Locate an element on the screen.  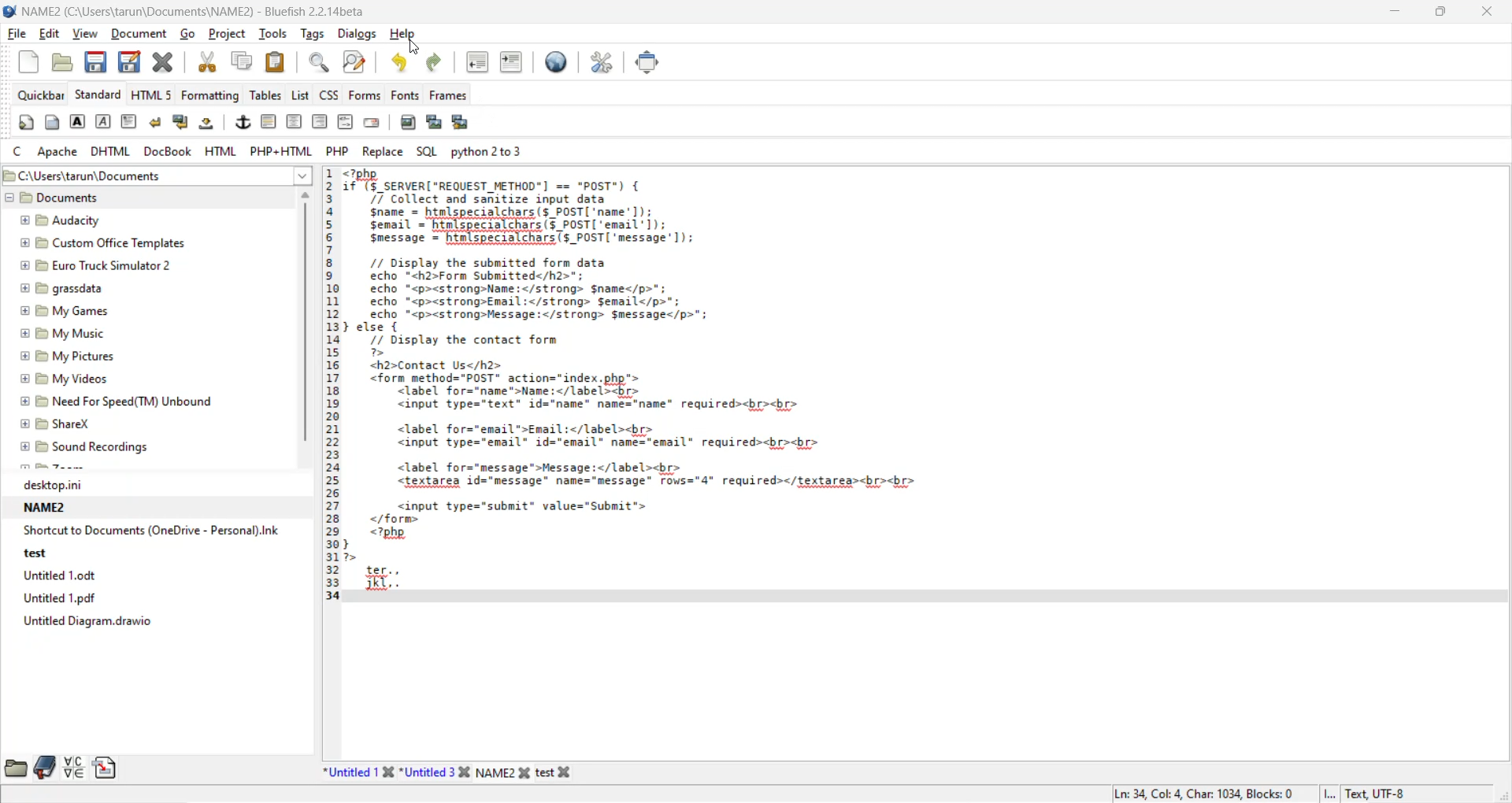
redo is located at coordinates (433, 62).